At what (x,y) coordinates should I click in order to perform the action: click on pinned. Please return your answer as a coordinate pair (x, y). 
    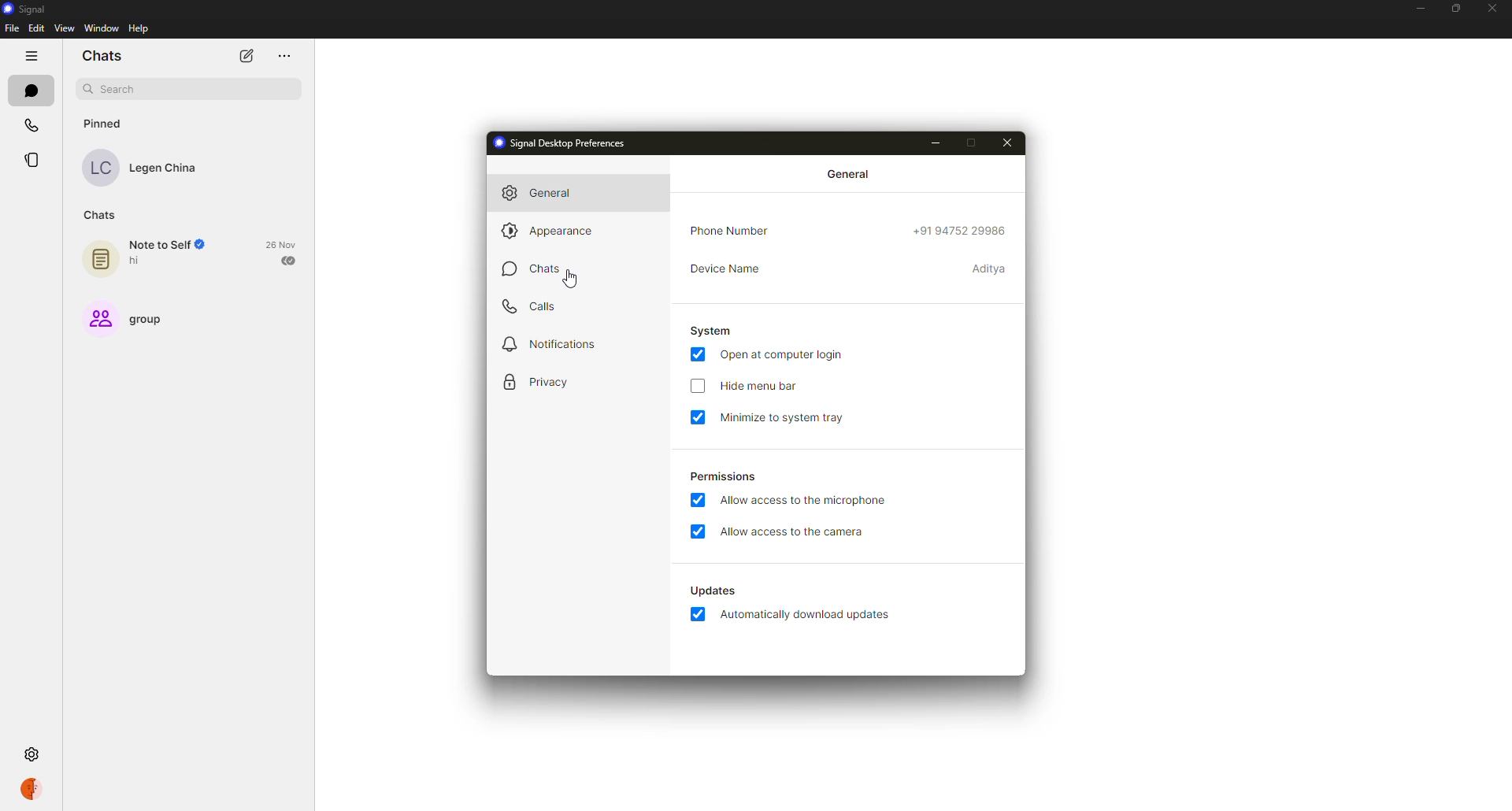
    Looking at the image, I should click on (102, 123).